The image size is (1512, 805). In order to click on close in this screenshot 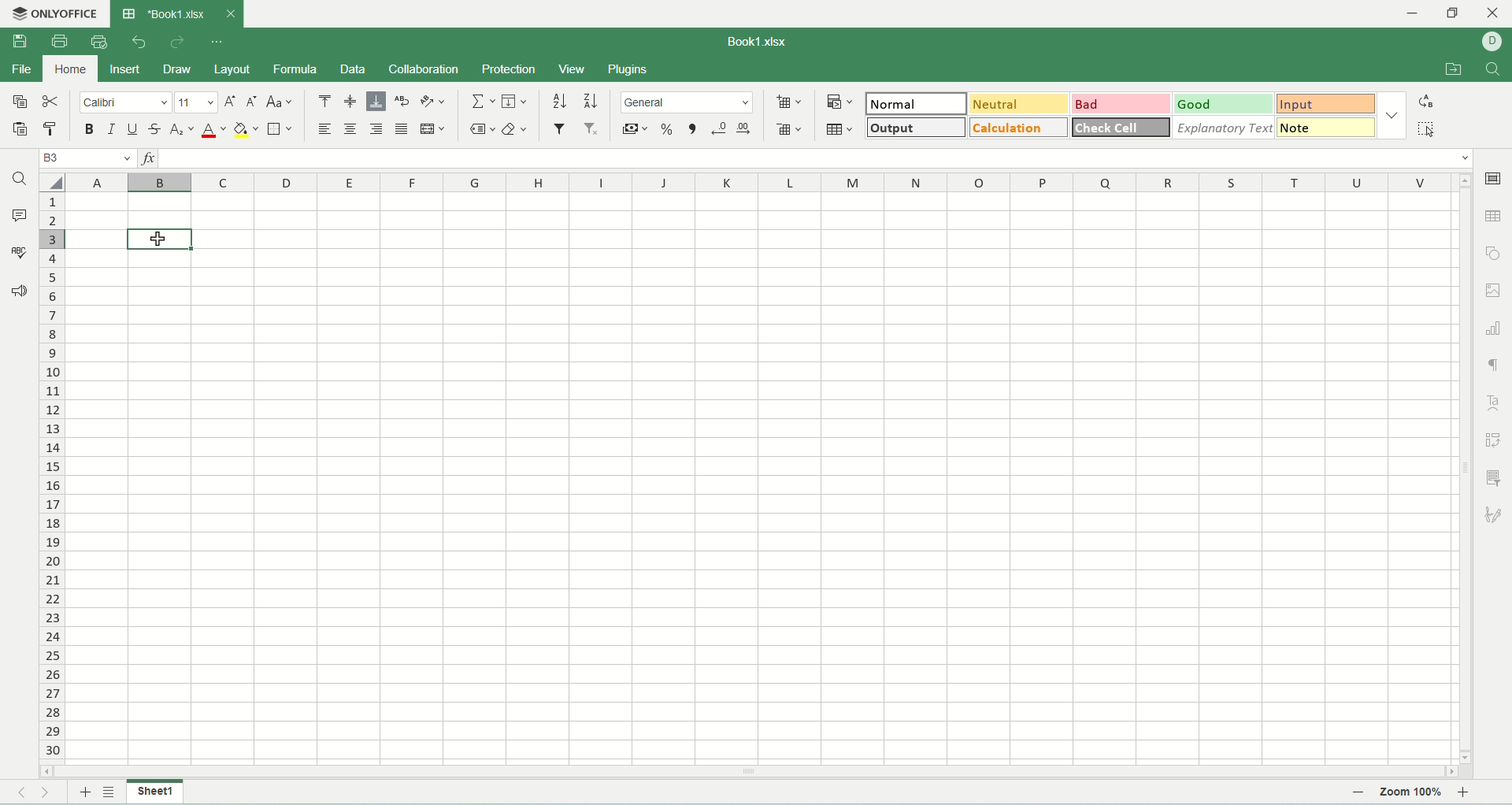, I will do `click(230, 14)`.